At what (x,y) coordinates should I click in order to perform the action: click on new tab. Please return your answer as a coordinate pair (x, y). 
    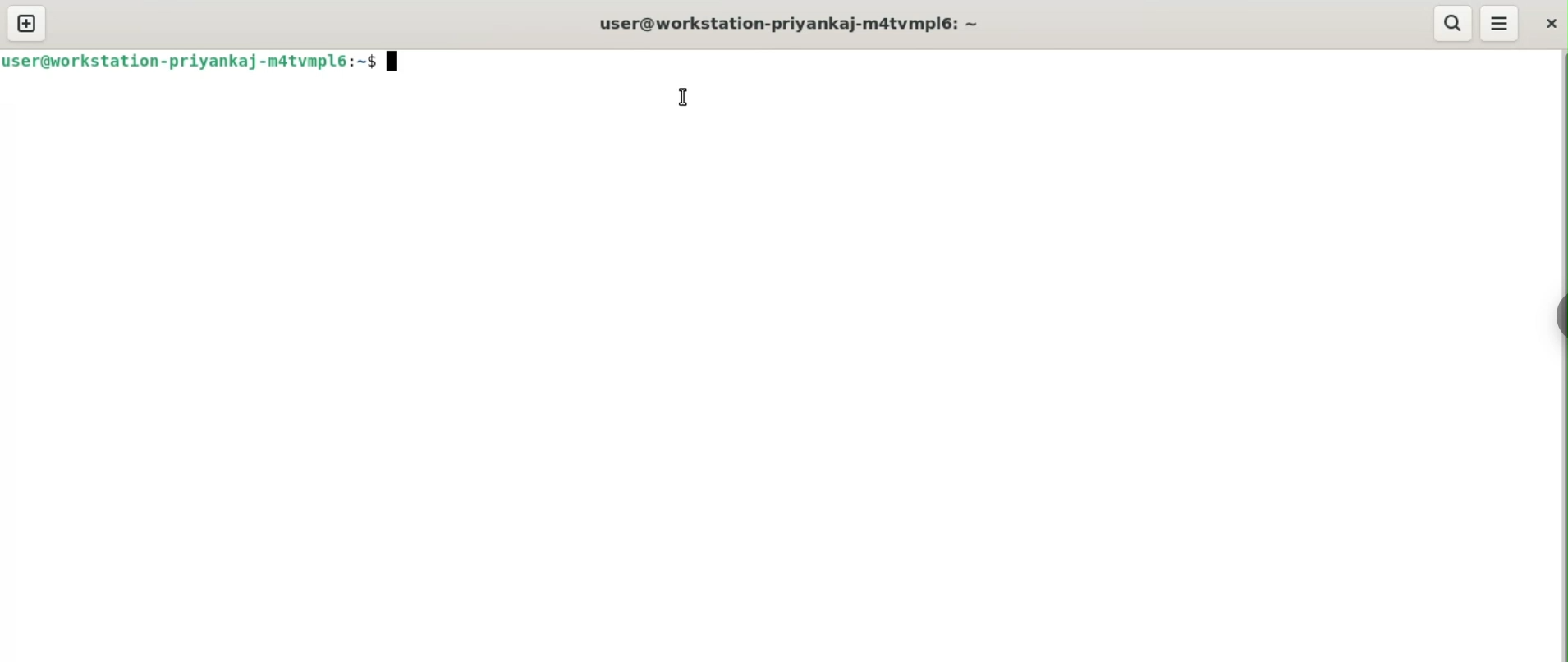
    Looking at the image, I should click on (26, 23).